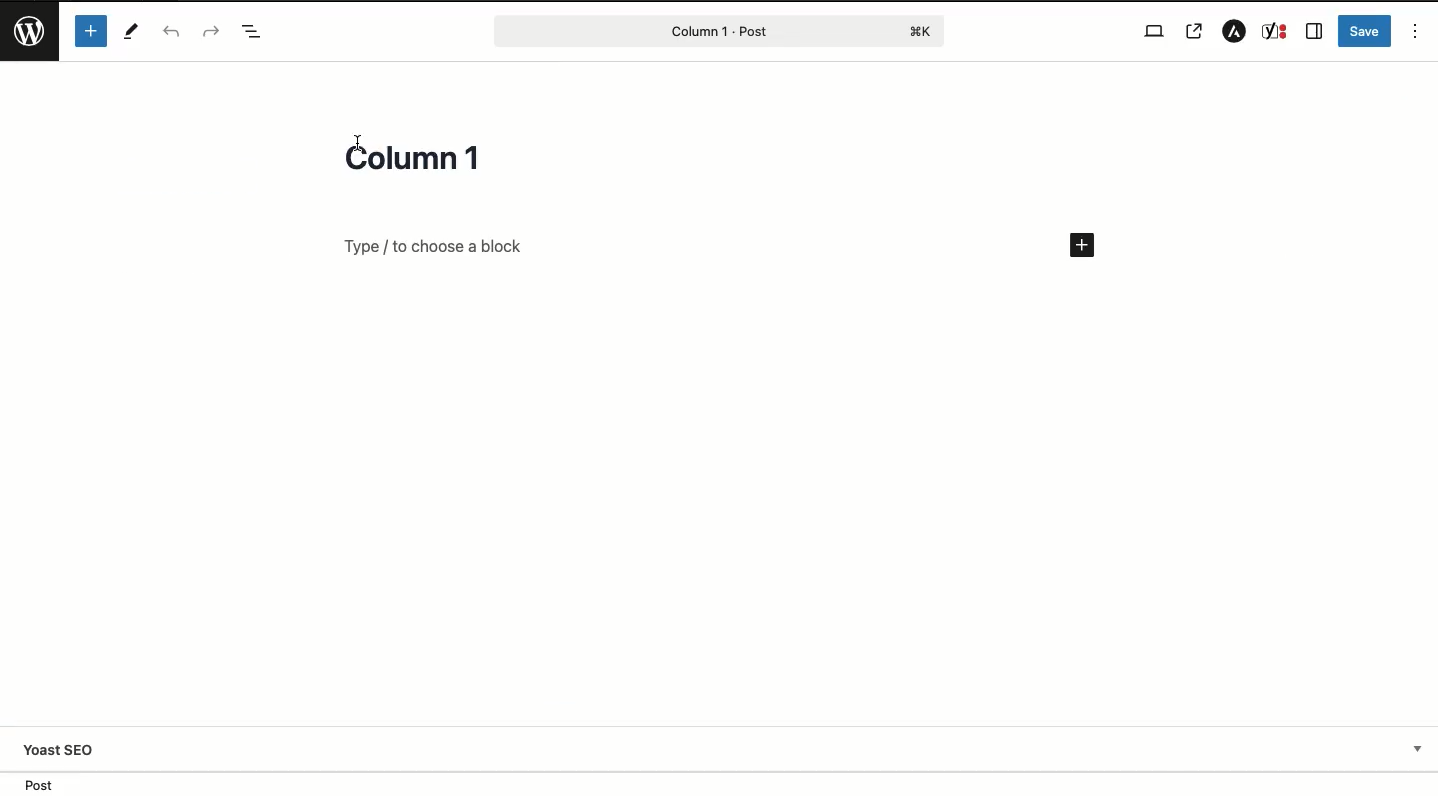 The height and width of the screenshot is (796, 1438). What do you see at coordinates (209, 31) in the screenshot?
I see `Redo` at bounding box center [209, 31].